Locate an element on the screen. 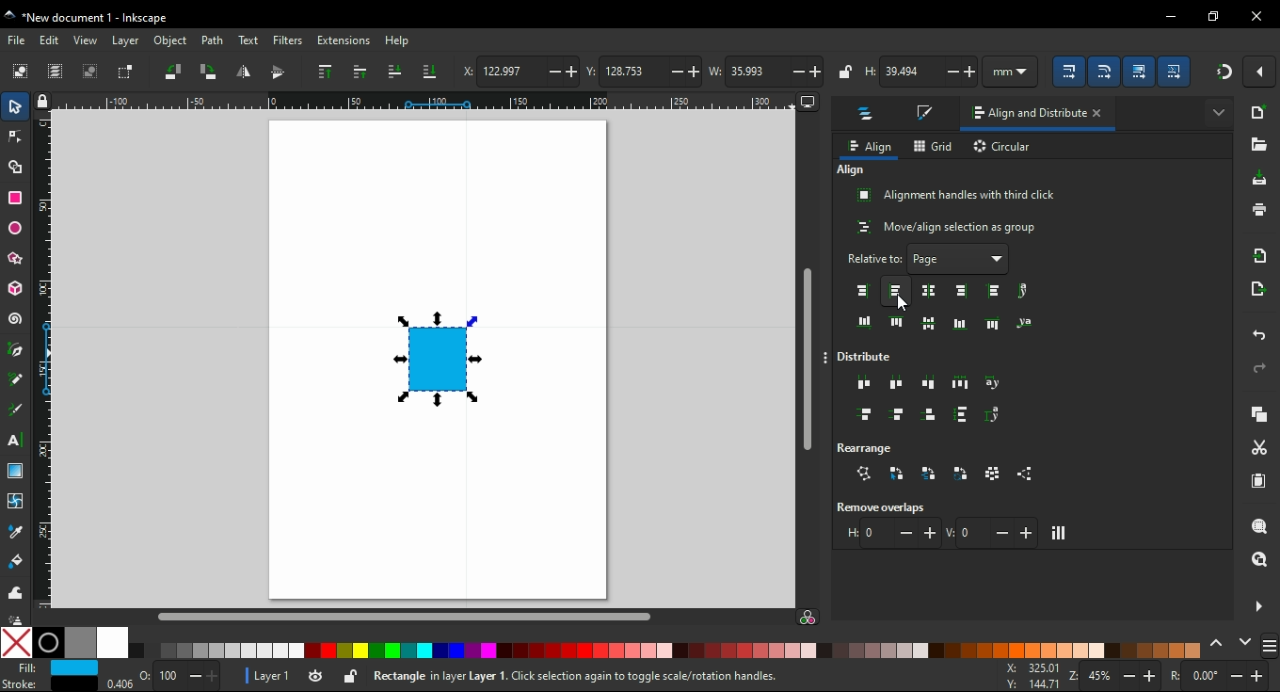 The image size is (1280, 692). nicely arrange selected connector network is located at coordinates (866, 473).